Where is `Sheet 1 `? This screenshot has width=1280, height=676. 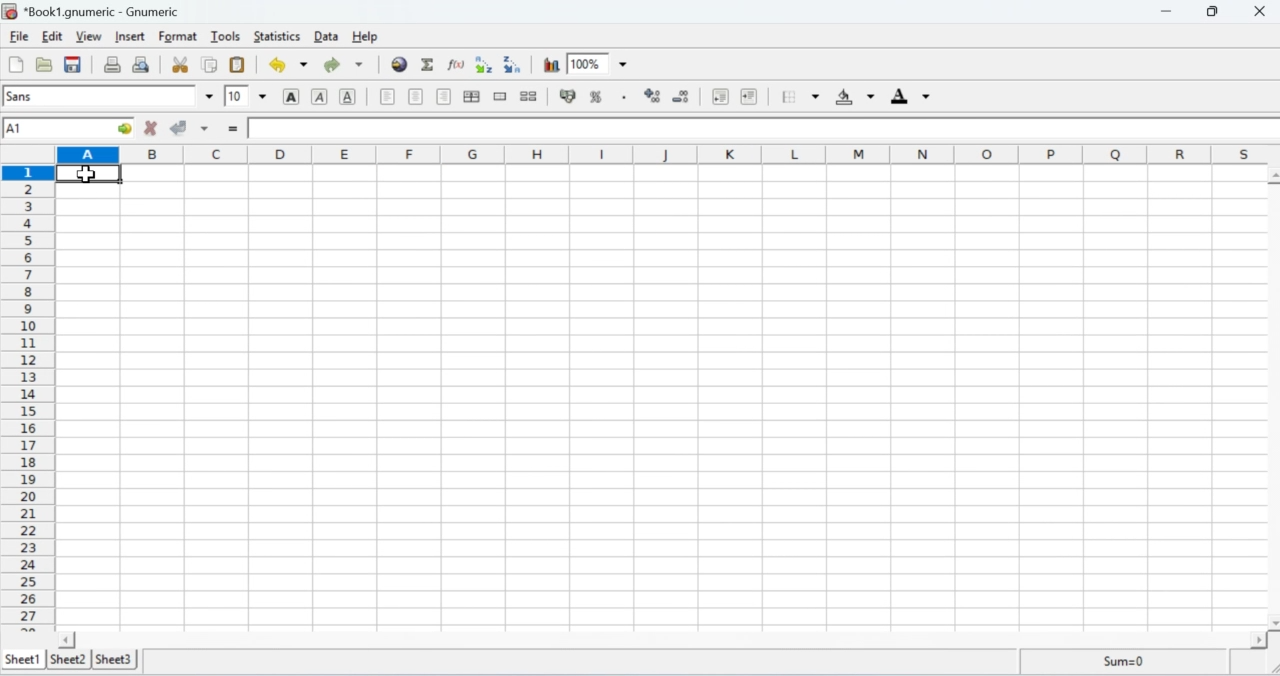
Sheet 1  is located at coordinates (23, 659).